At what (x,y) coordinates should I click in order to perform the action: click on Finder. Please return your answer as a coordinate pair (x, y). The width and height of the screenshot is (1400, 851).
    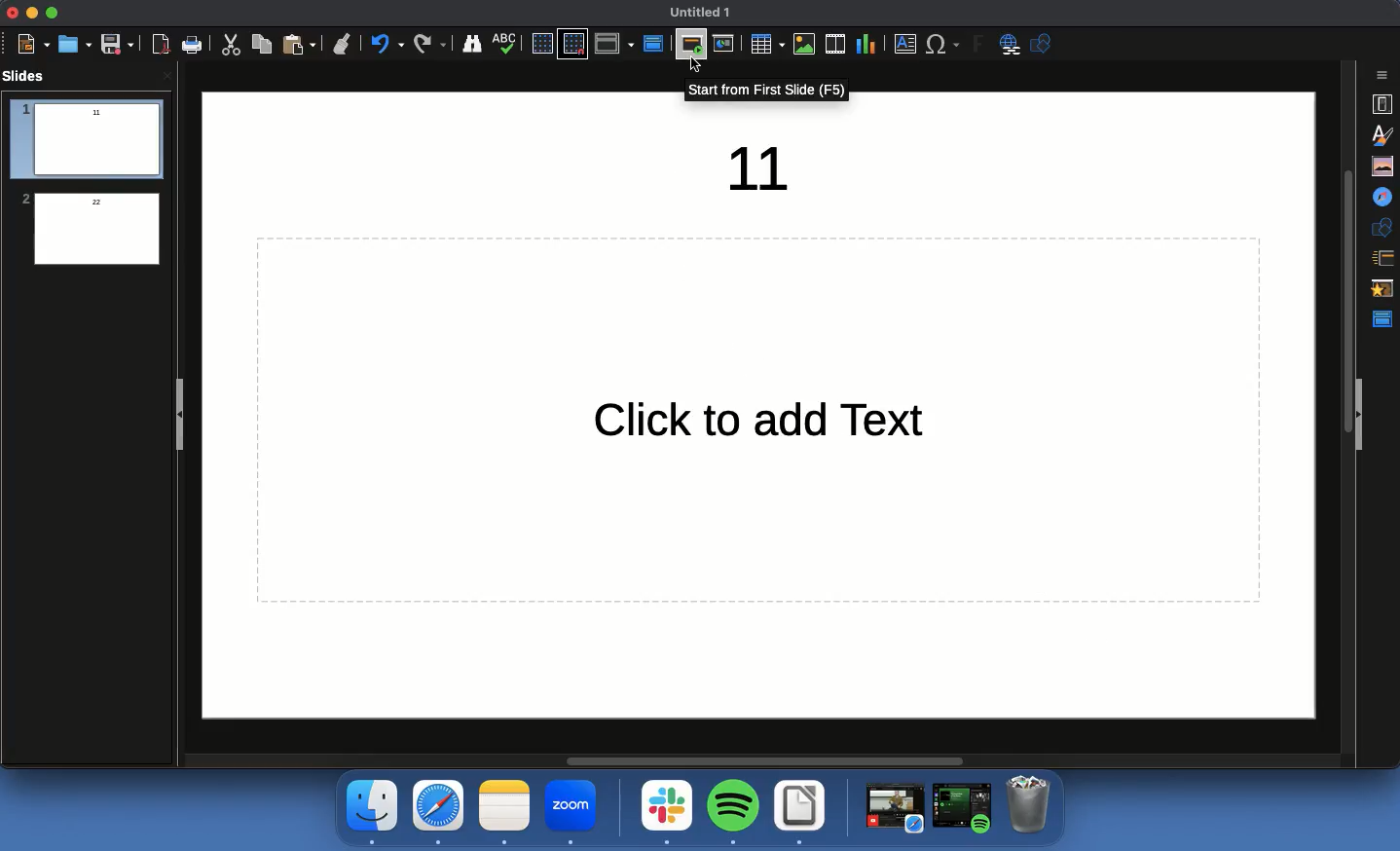
    Looking at the image, I should click on (472, 44).